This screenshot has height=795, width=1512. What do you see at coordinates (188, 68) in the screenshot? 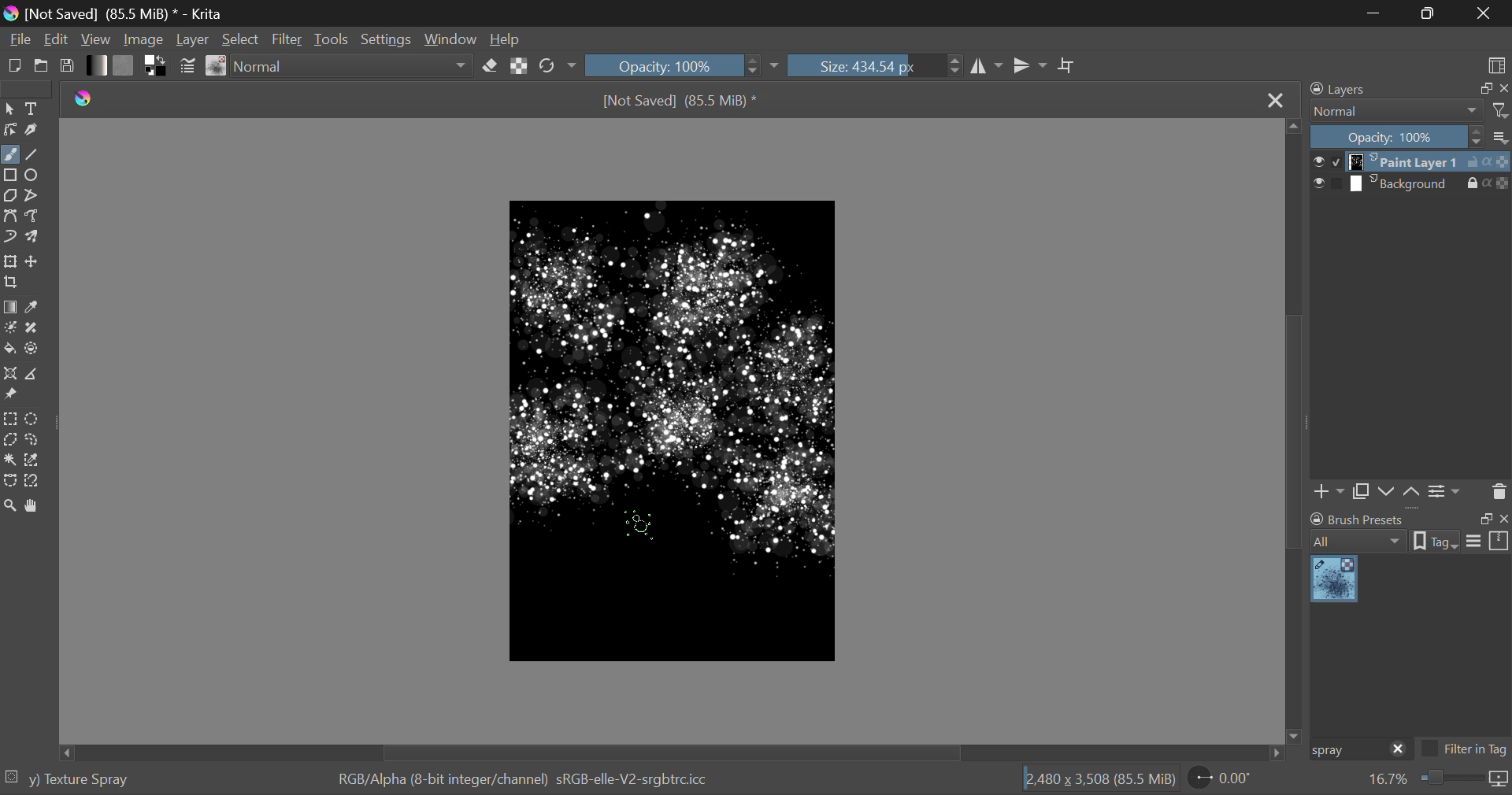
I see `Brush Settings` at bounding box center [188, 68].